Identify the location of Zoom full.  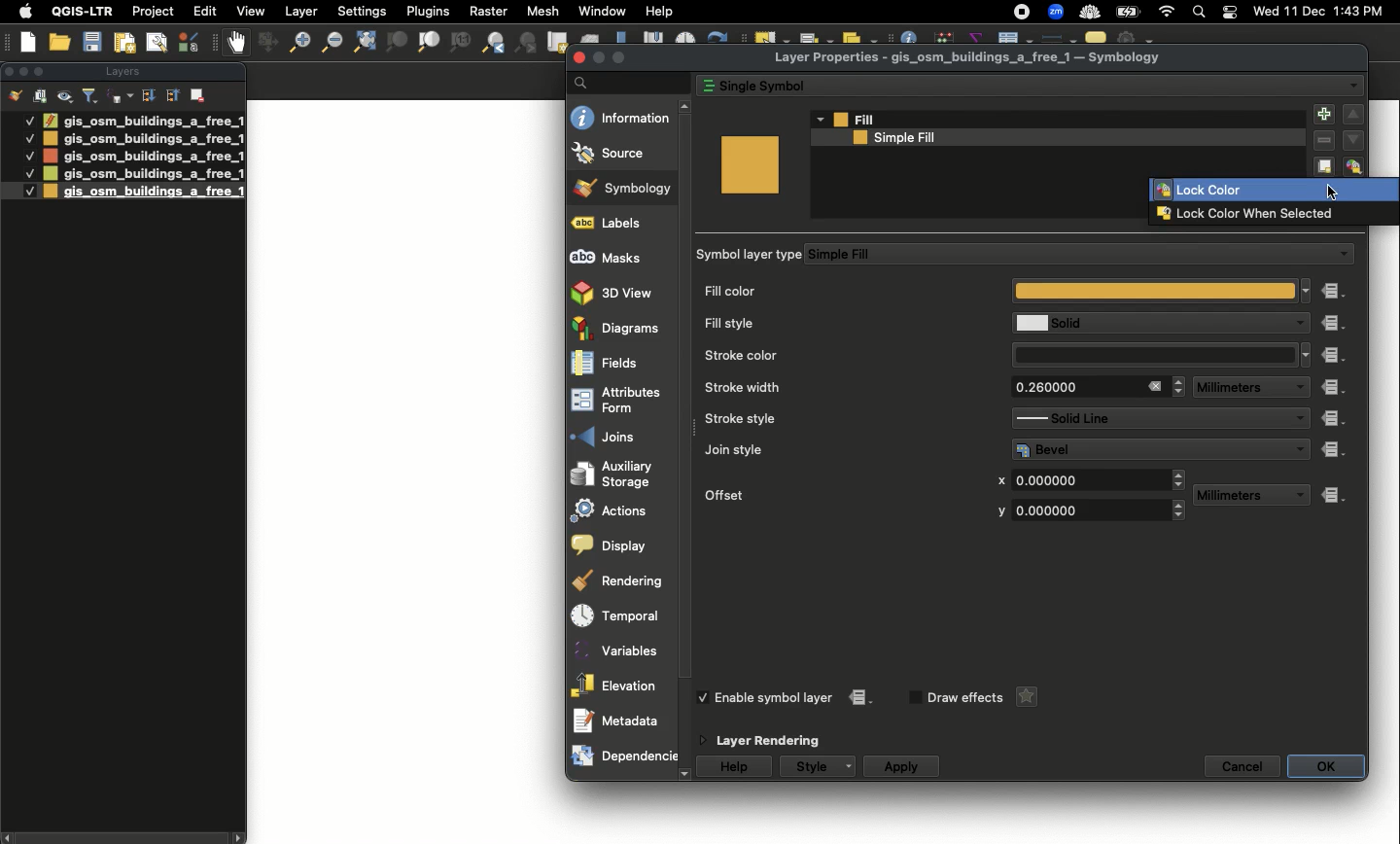
(363, 43).